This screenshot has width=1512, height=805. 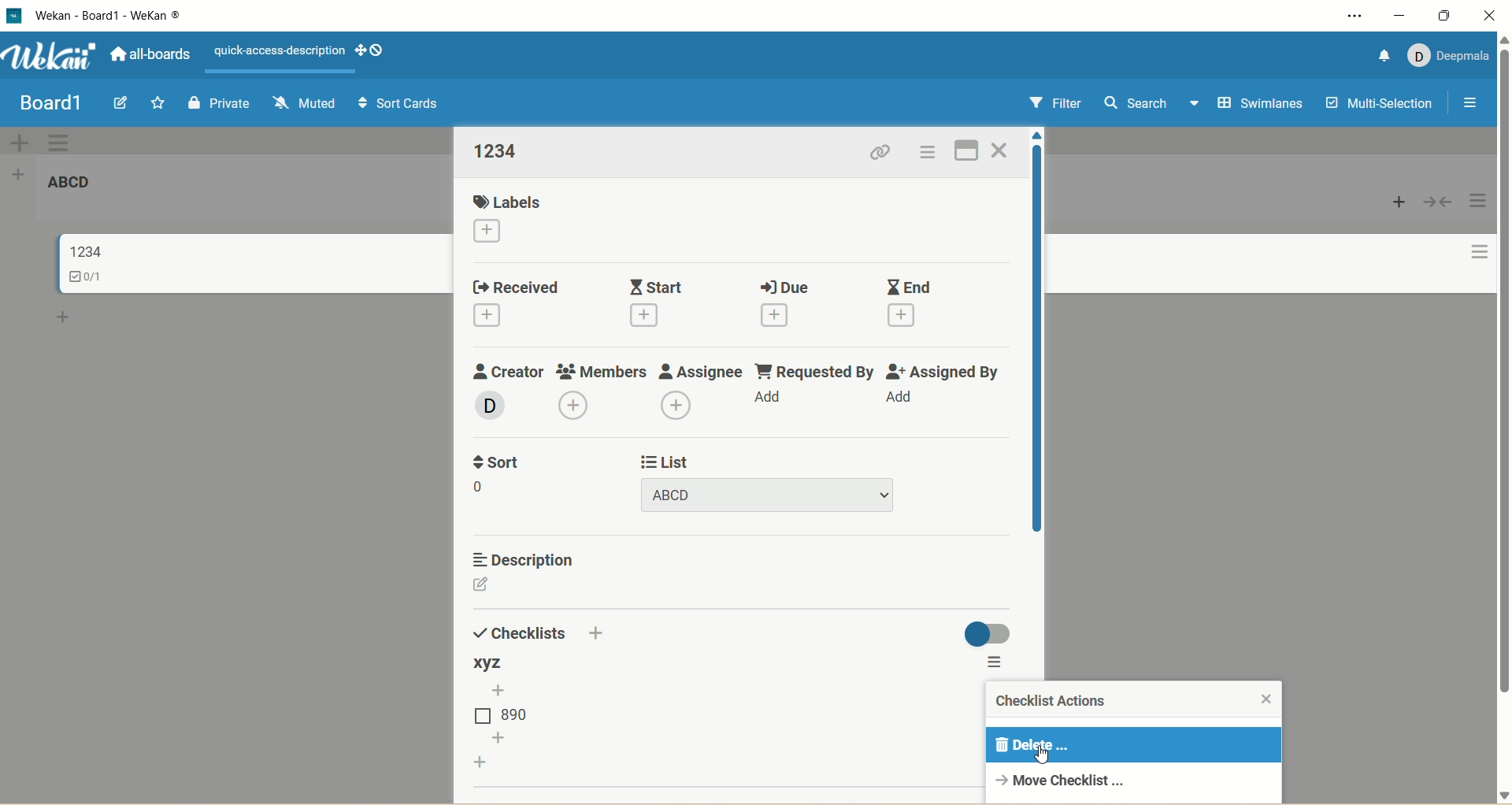 What do you see at coordinates (1440, 202) in the screenshot?
I see `collapse` at bounding box center [1440, 202].